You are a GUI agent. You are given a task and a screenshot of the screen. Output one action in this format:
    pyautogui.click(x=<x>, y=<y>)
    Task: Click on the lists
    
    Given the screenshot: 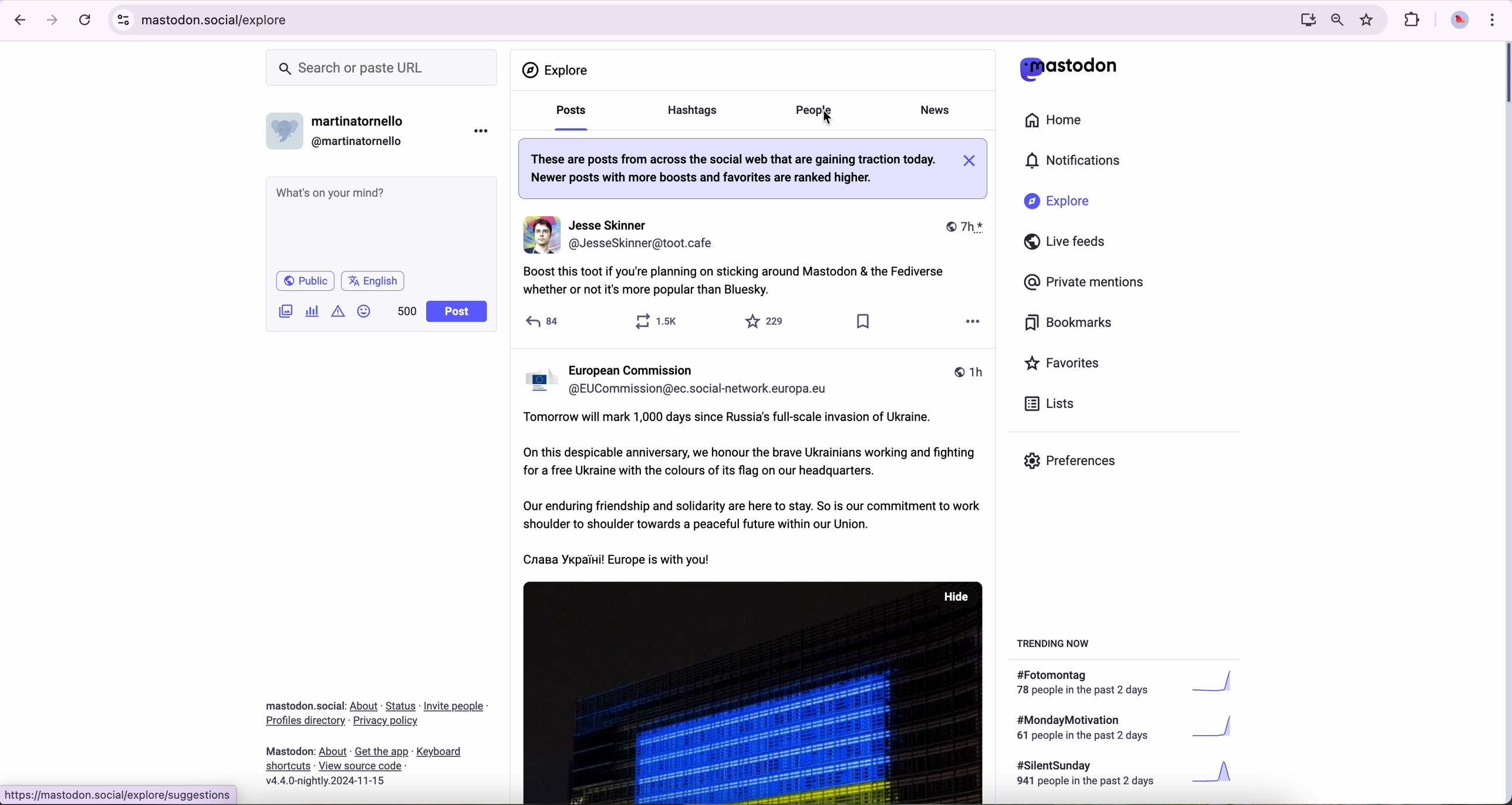 What is the action you would take?
    pyautogui.click(x=1045, y=403)
    